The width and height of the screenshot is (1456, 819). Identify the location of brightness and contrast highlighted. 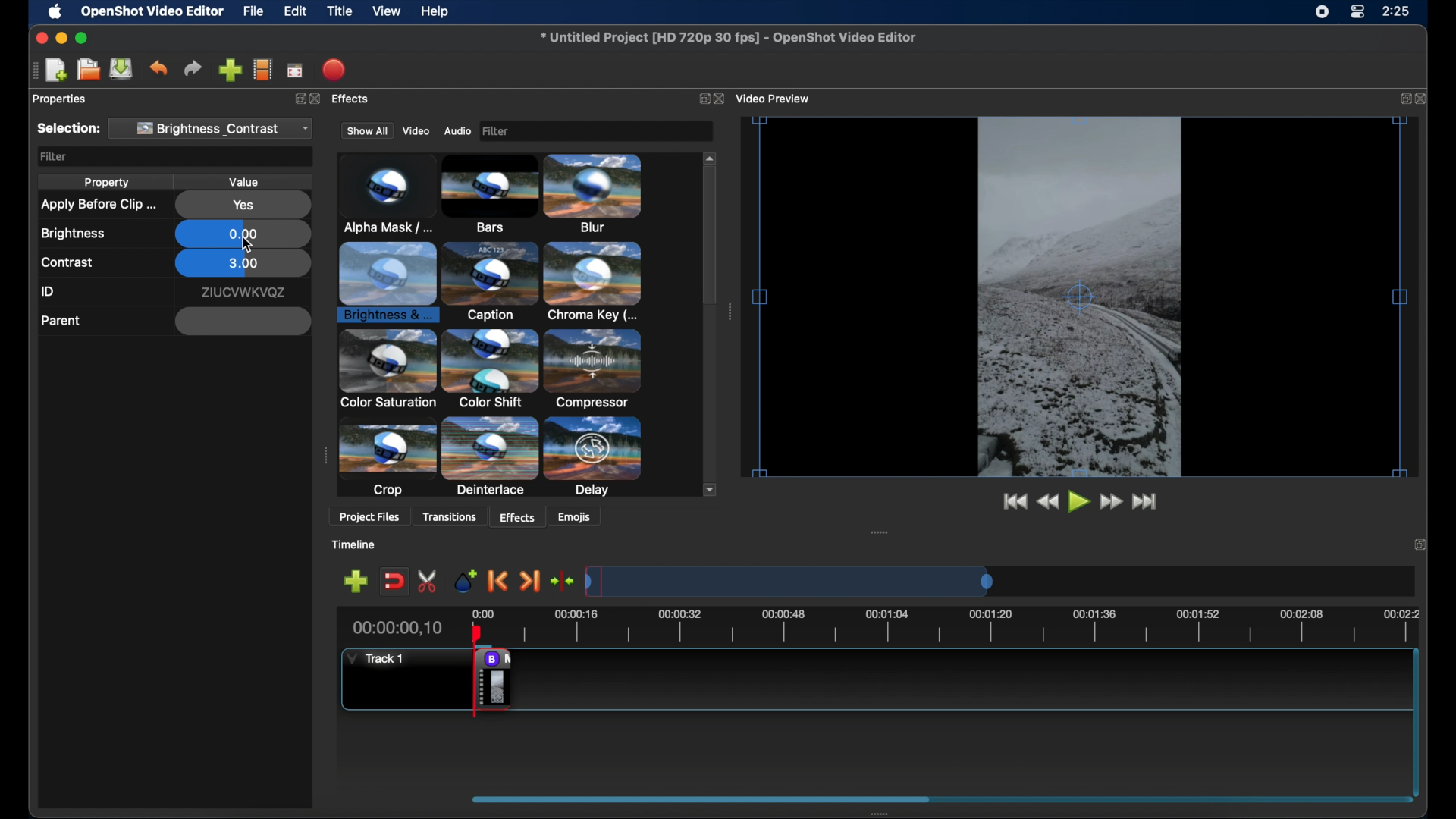
(598, 196).